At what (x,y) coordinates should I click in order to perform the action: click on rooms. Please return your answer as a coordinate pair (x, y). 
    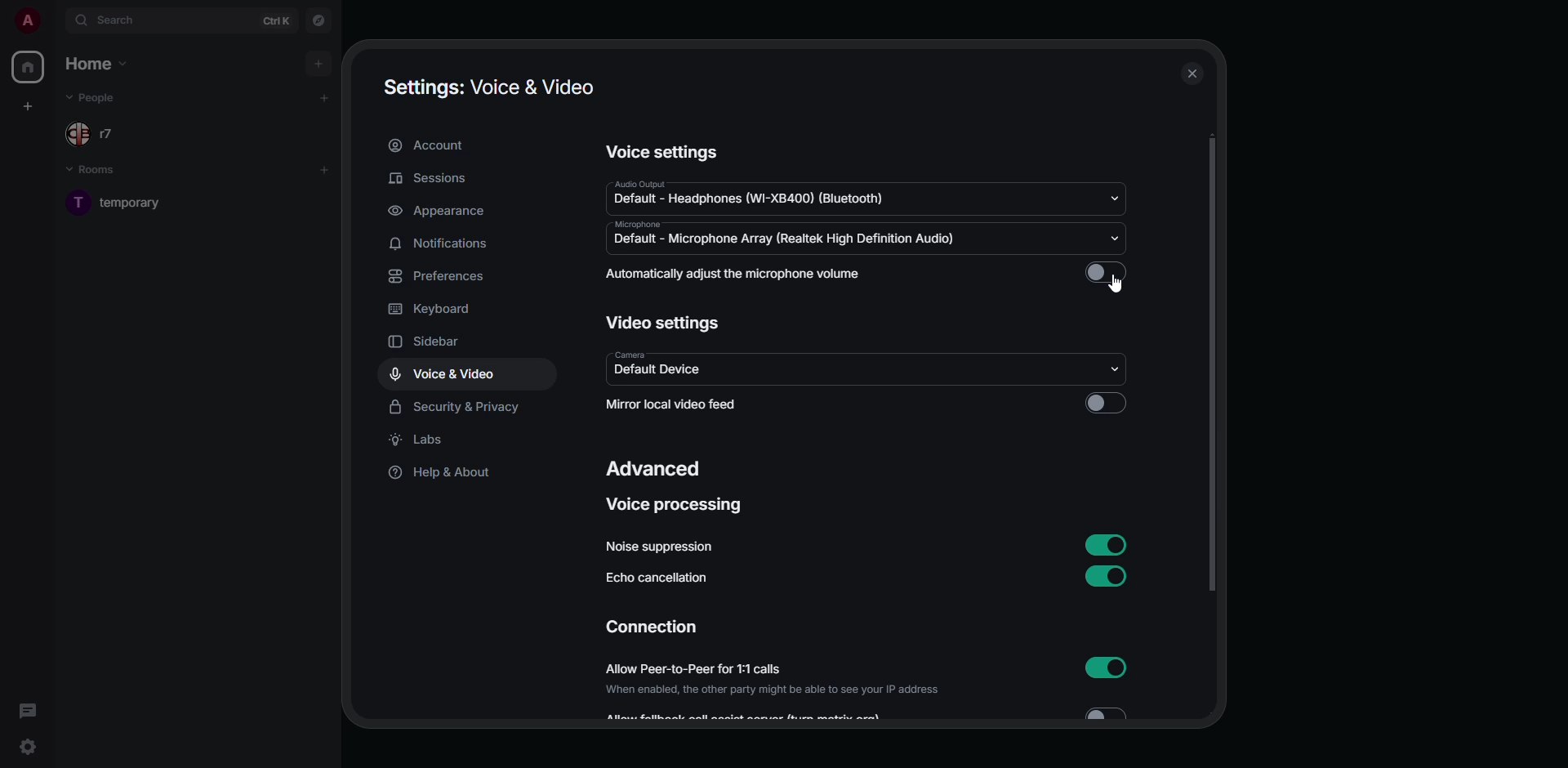
    Looking at the image, I should click on (98, 172).